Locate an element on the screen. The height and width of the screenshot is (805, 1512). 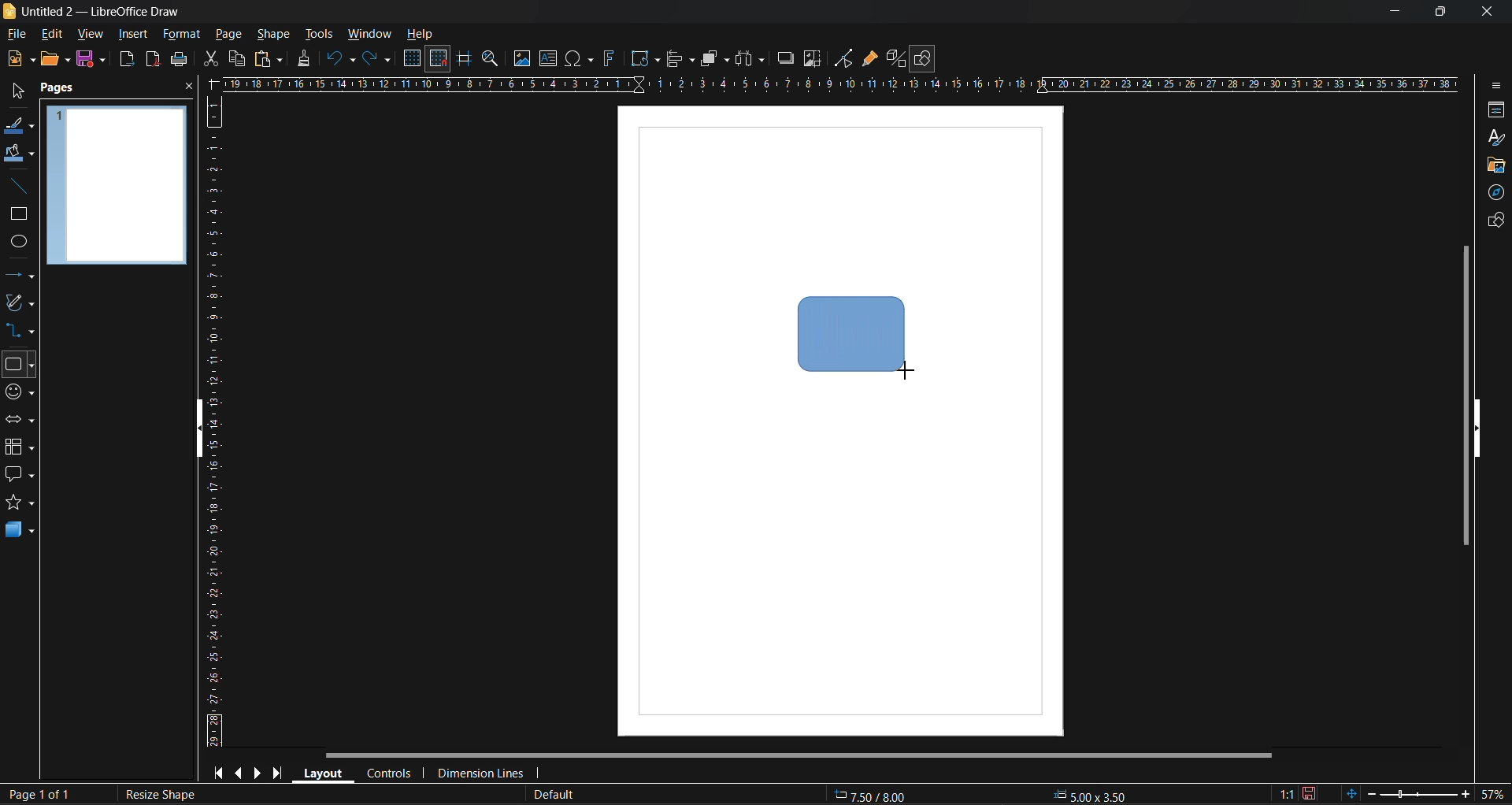
page is located at coordinates (229, 33).